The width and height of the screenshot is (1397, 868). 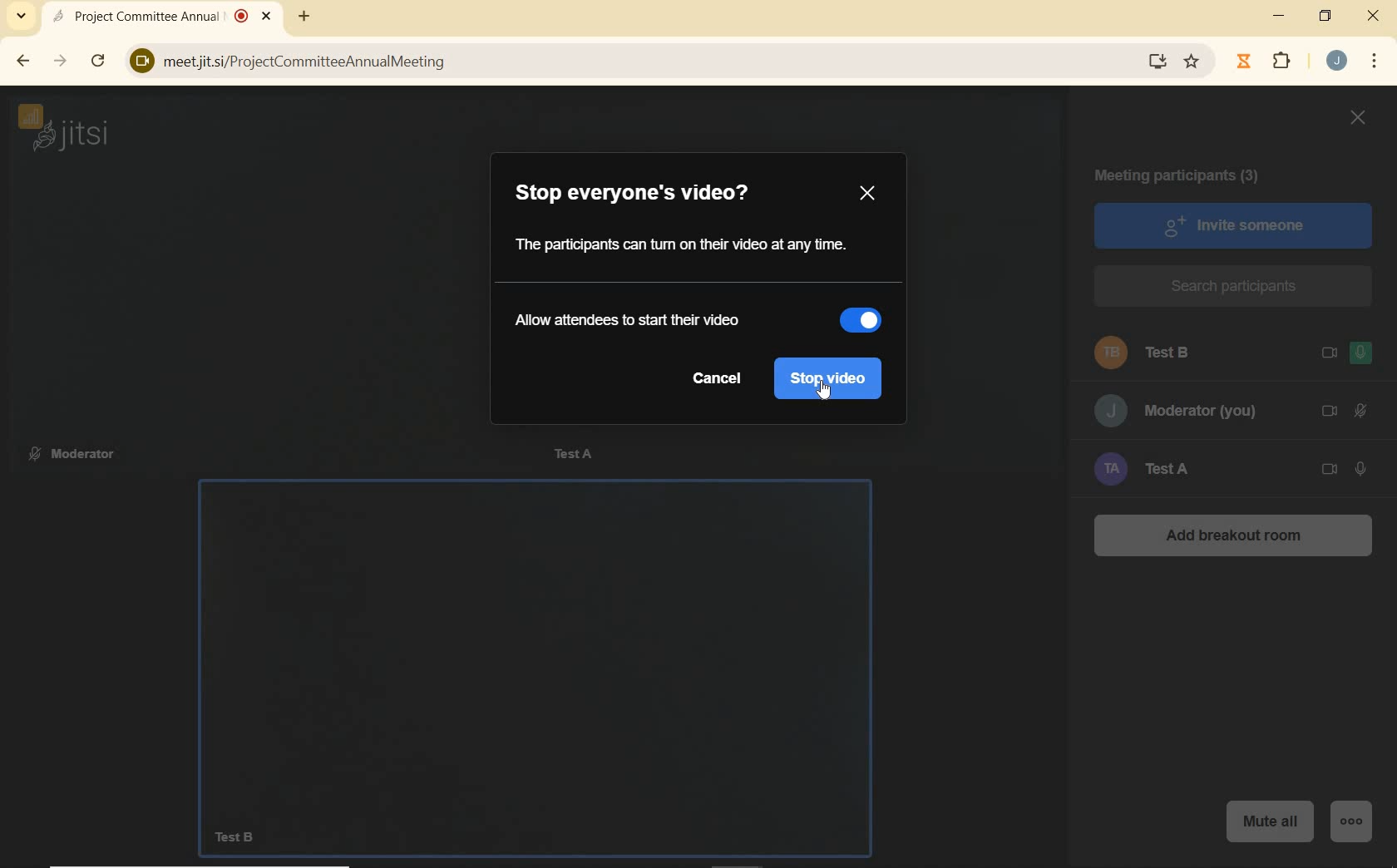 What do you see at coordinates (681, 245) in the screenshot?
I see `The participants can turn on their video at any time` at bounding box center [681, 245].